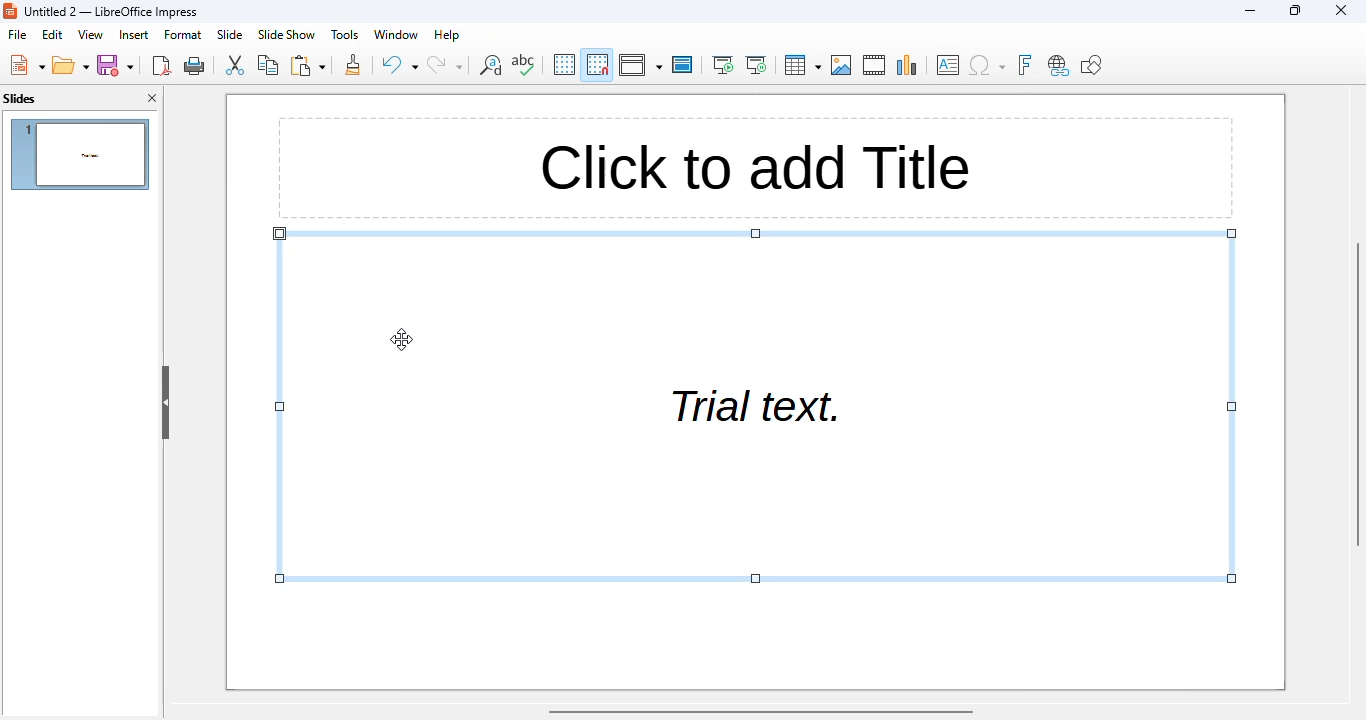 This screenshot has height=720, width=1366. What do you see at coordinates (71, 64) in the screenshot?
I see `open` at bounding box center [71, 64].